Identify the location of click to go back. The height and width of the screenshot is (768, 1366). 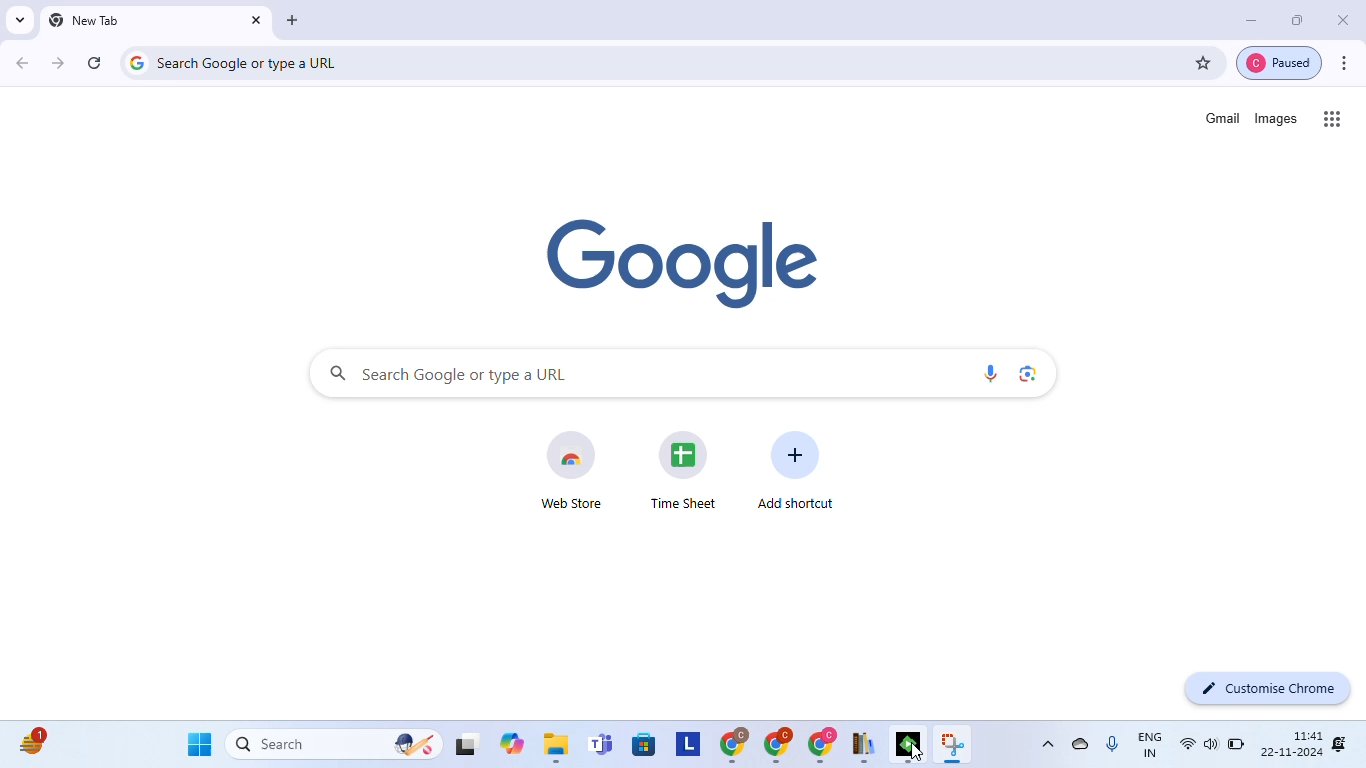
(21, 63).